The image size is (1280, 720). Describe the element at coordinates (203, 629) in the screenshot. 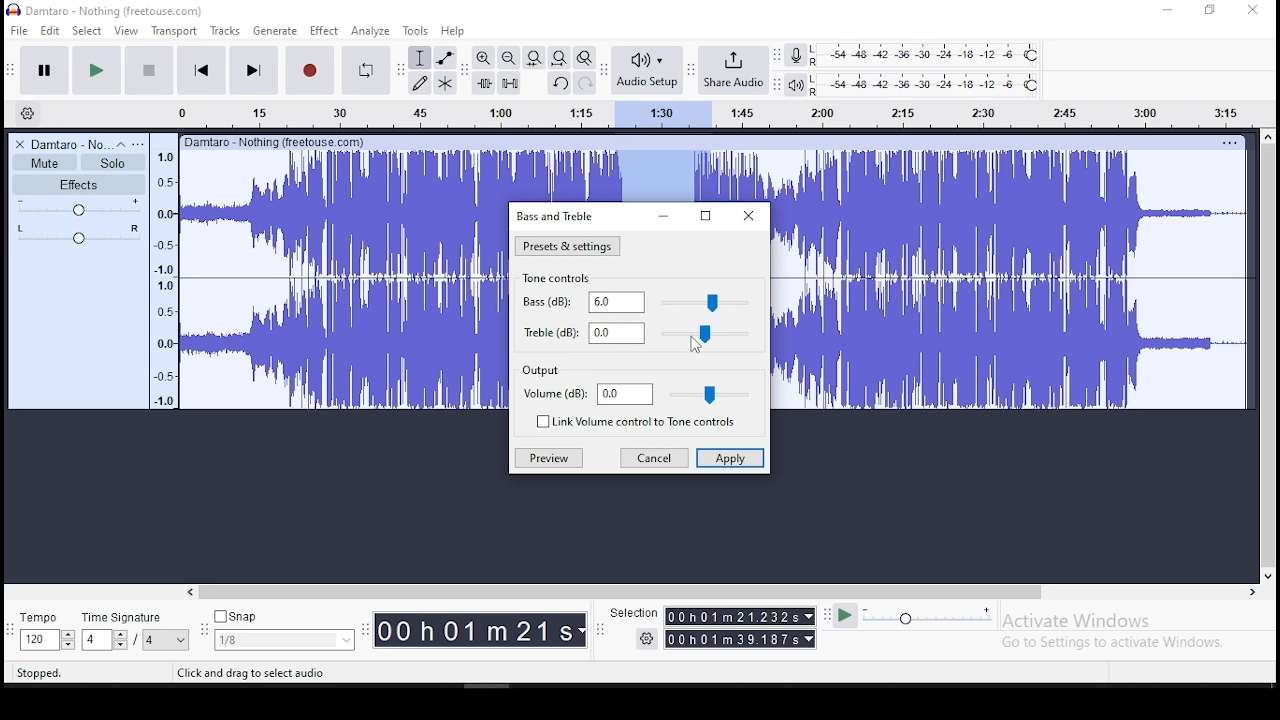

I see `` at that location.